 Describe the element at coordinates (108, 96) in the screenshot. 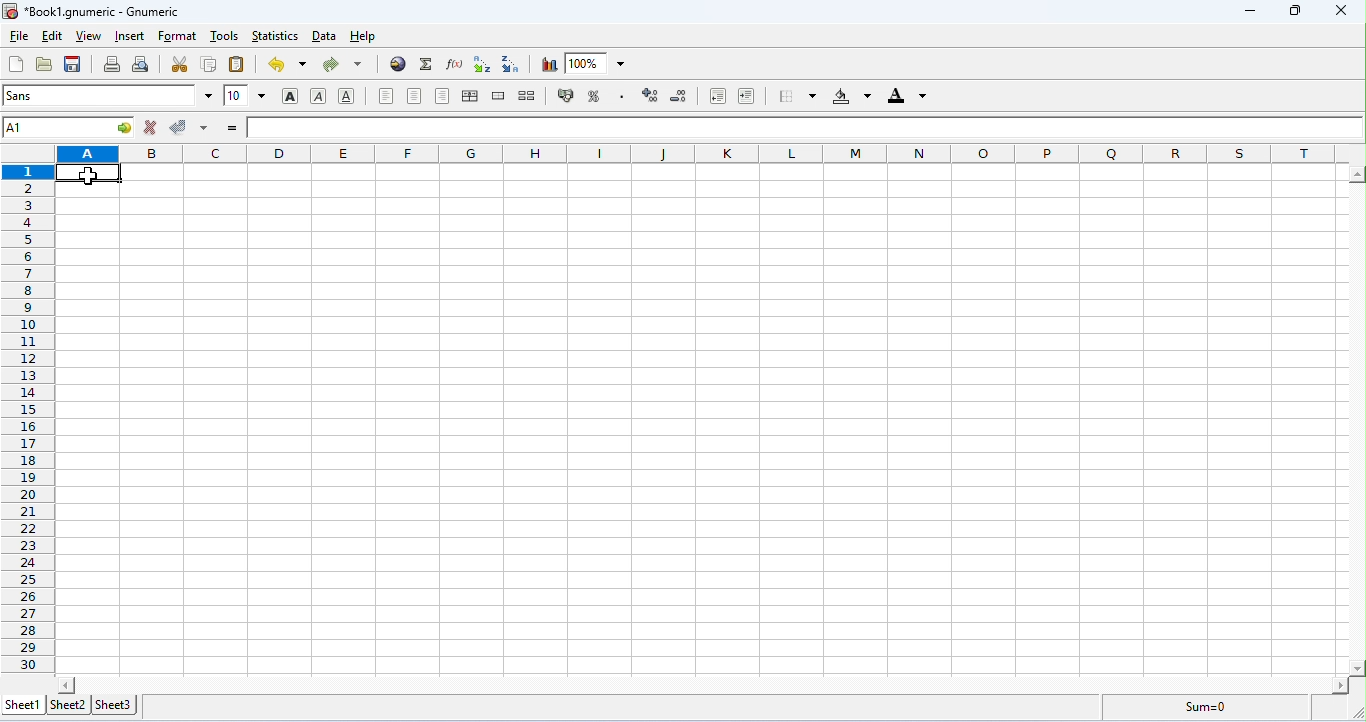

I see `font style` at that location.